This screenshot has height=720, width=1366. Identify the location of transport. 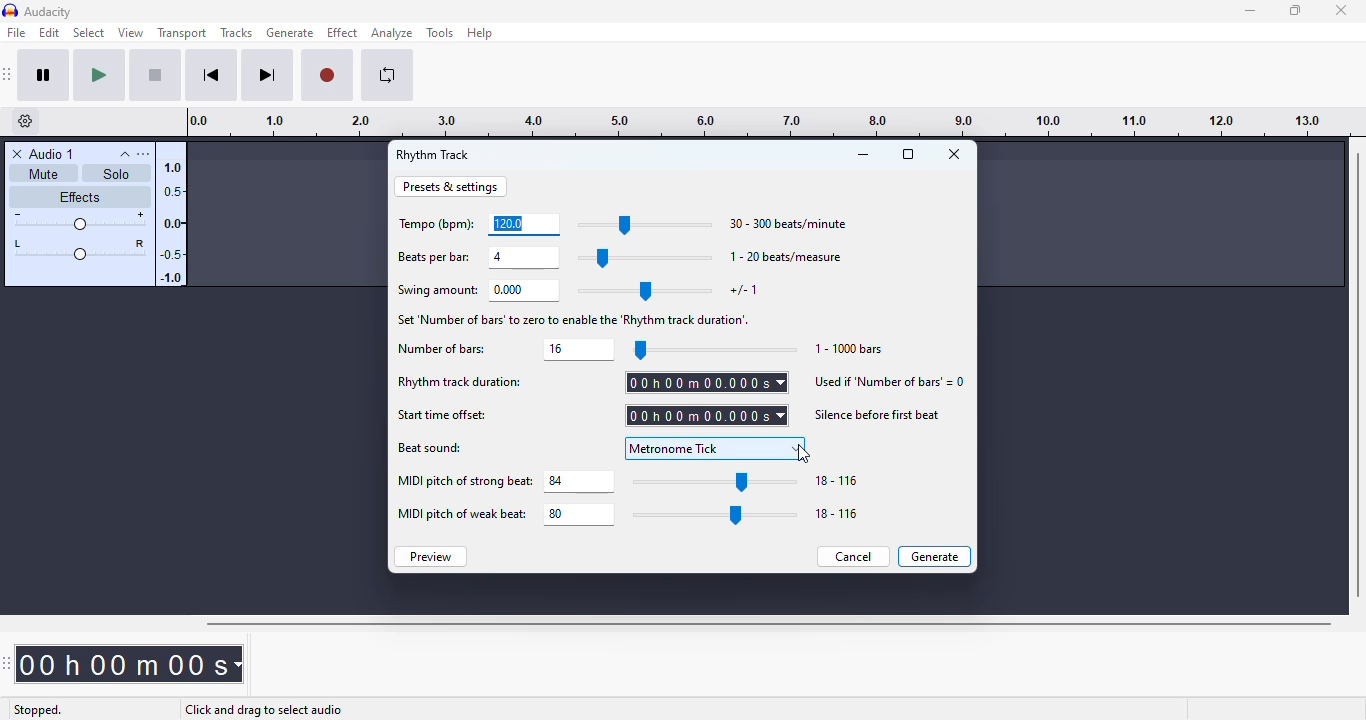
(181, 33).